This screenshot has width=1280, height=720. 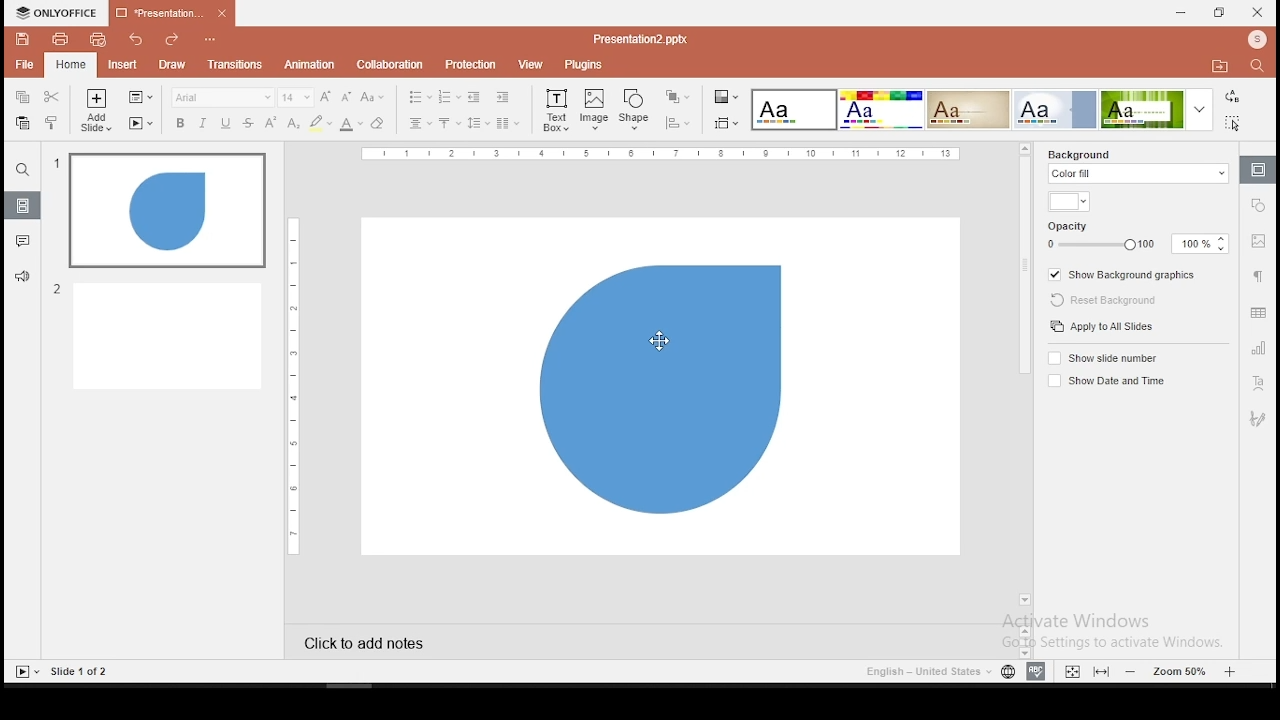 What do you see at coordinates (346, 98) in the screenshot?
I see `decrease font size` at bounding box center [346, 98].